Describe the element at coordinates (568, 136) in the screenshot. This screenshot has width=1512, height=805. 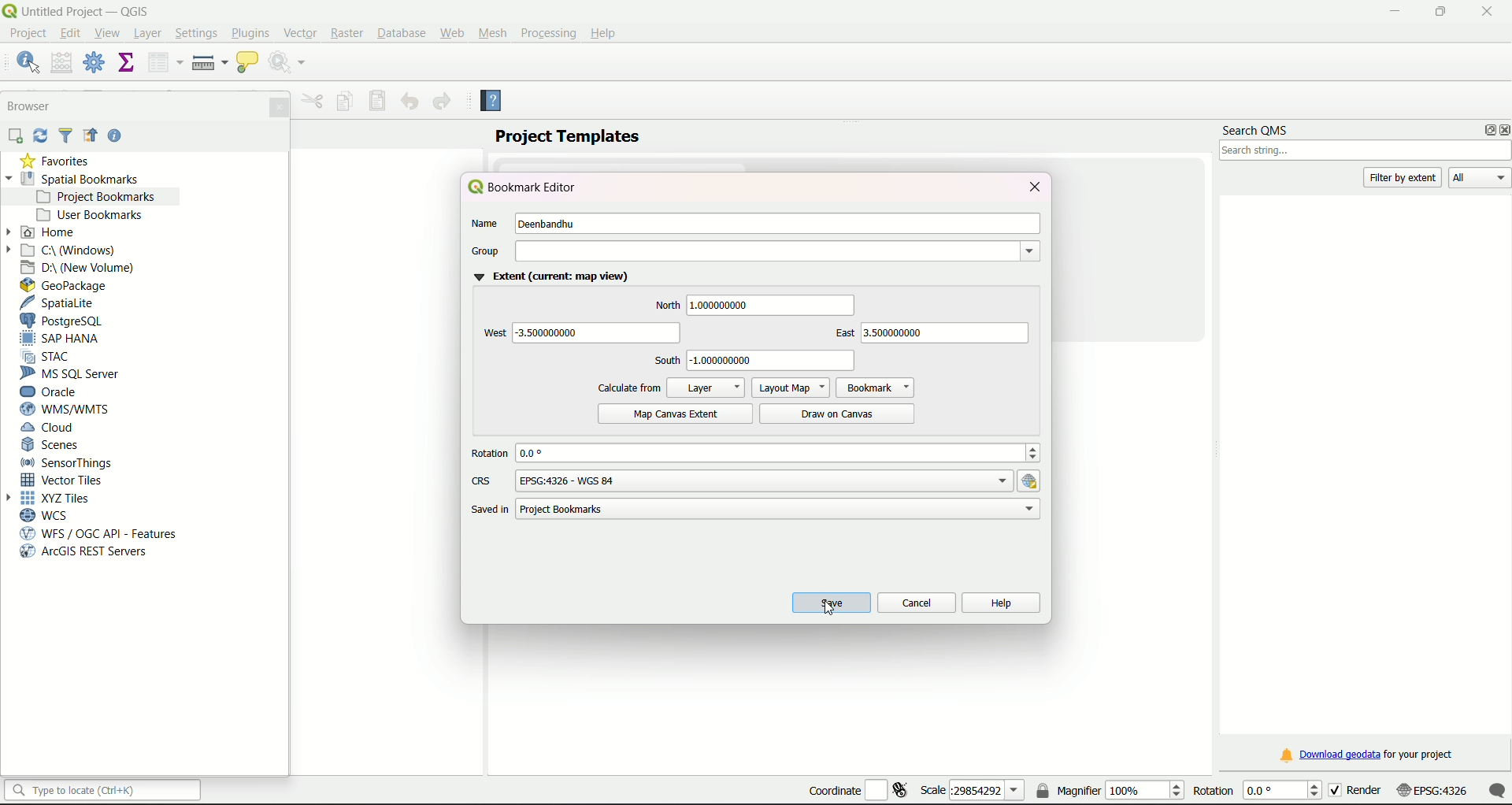
I see `project templates` at that location.